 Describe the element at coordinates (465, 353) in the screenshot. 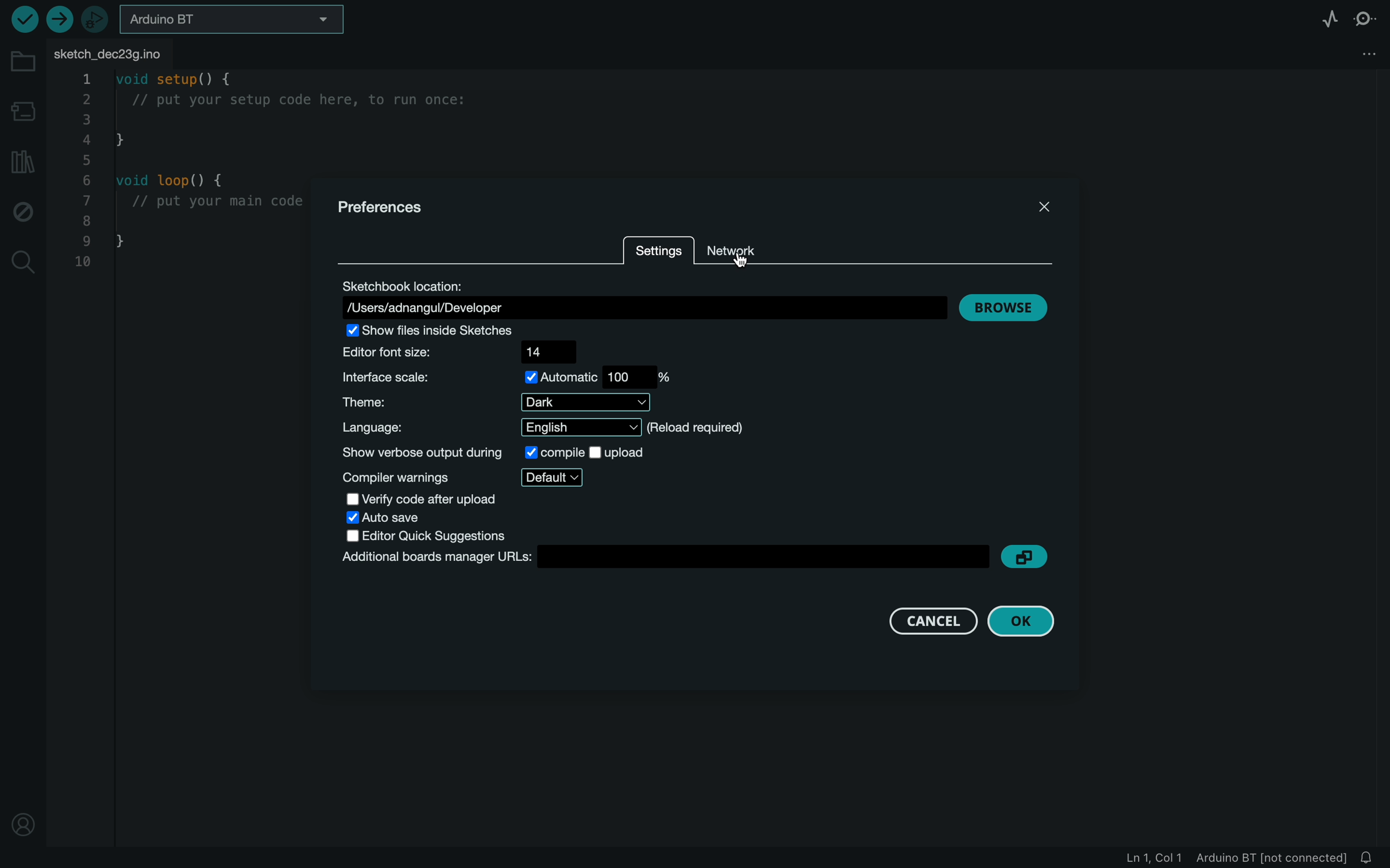

I see `font size` at that location.